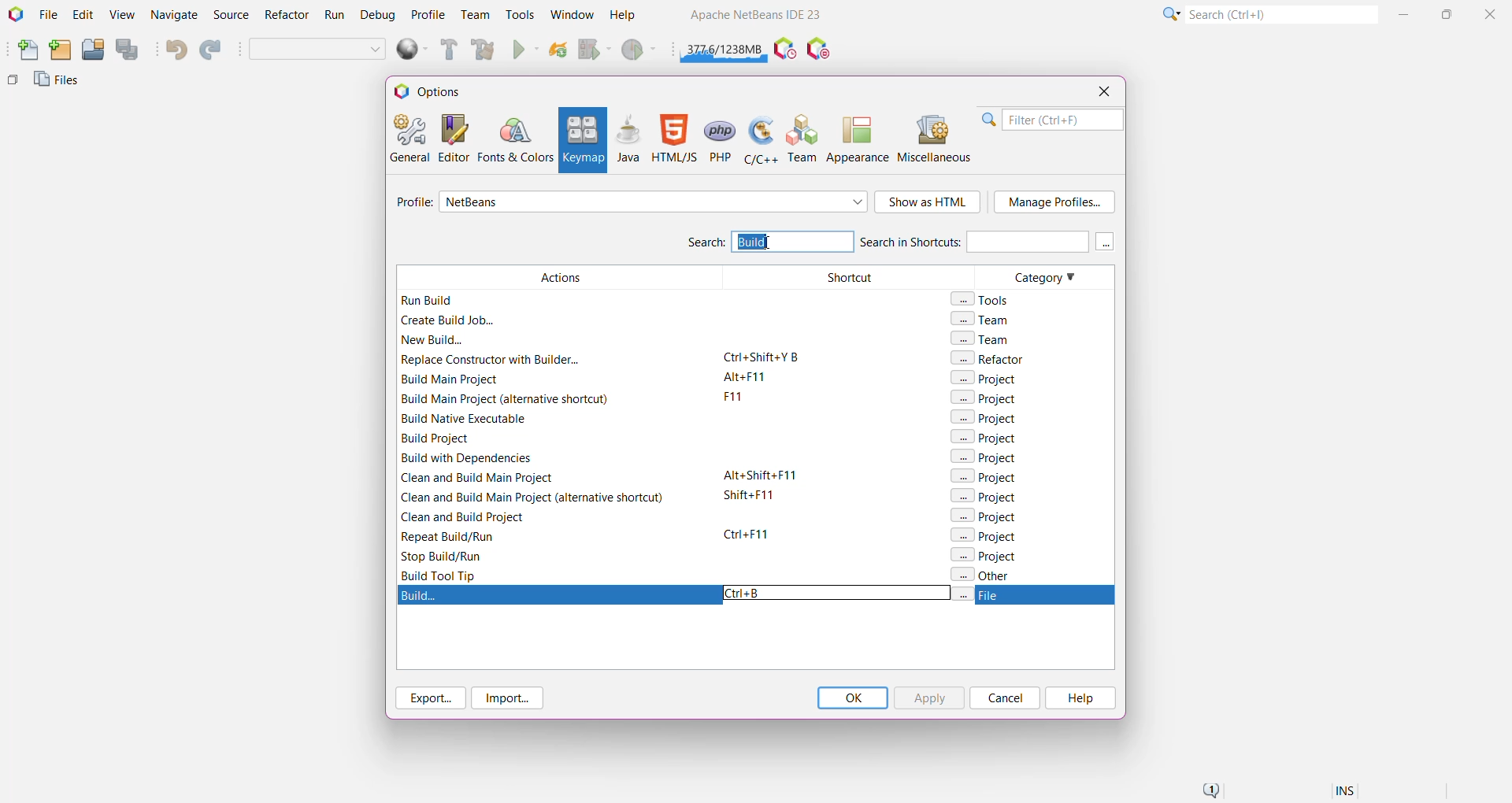 This screenshot has height=803, width=1512. I want to click on Show as HTML, so click(928, 203).